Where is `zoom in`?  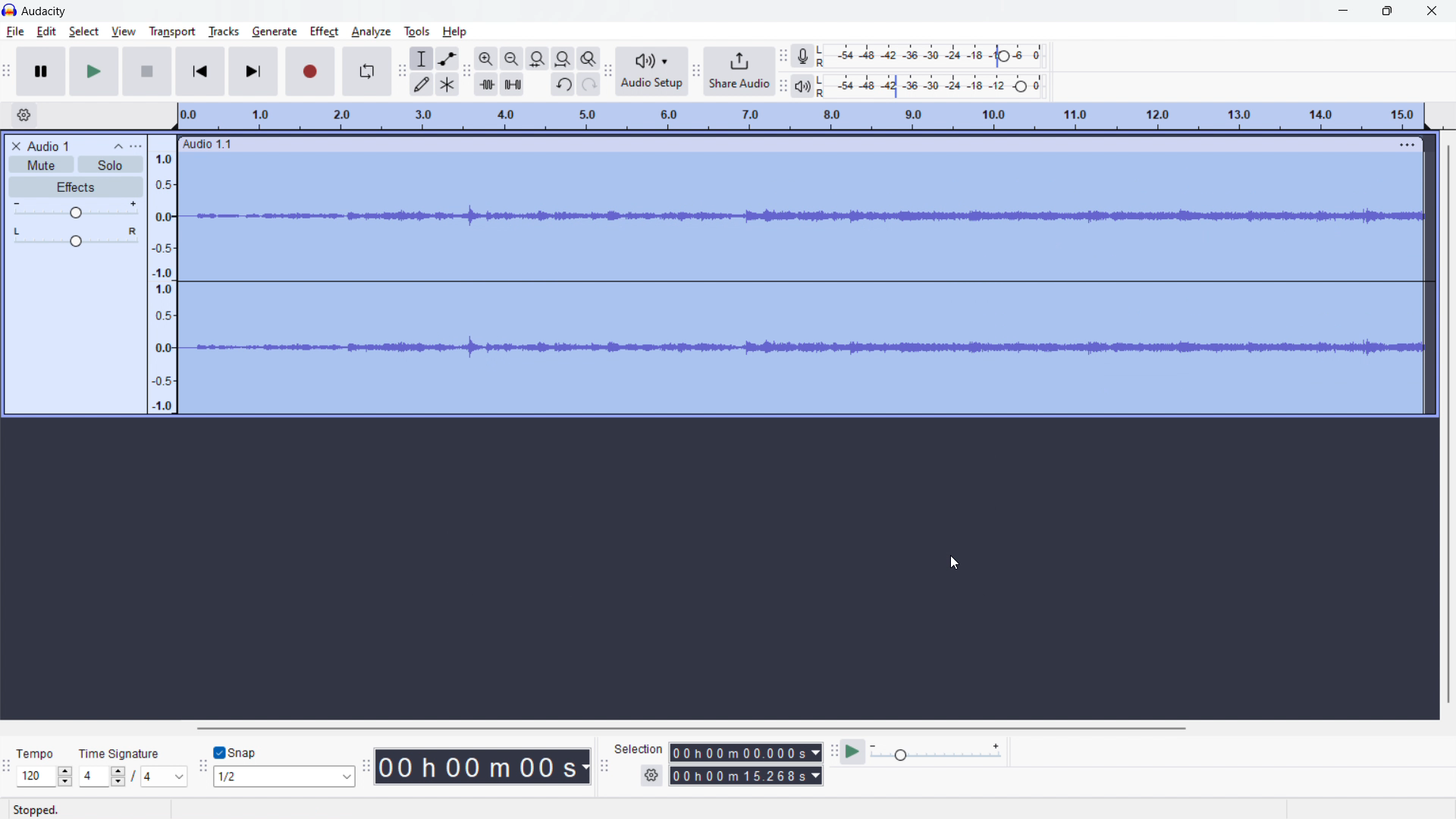 zoom in is located at coordinates (486, 58).